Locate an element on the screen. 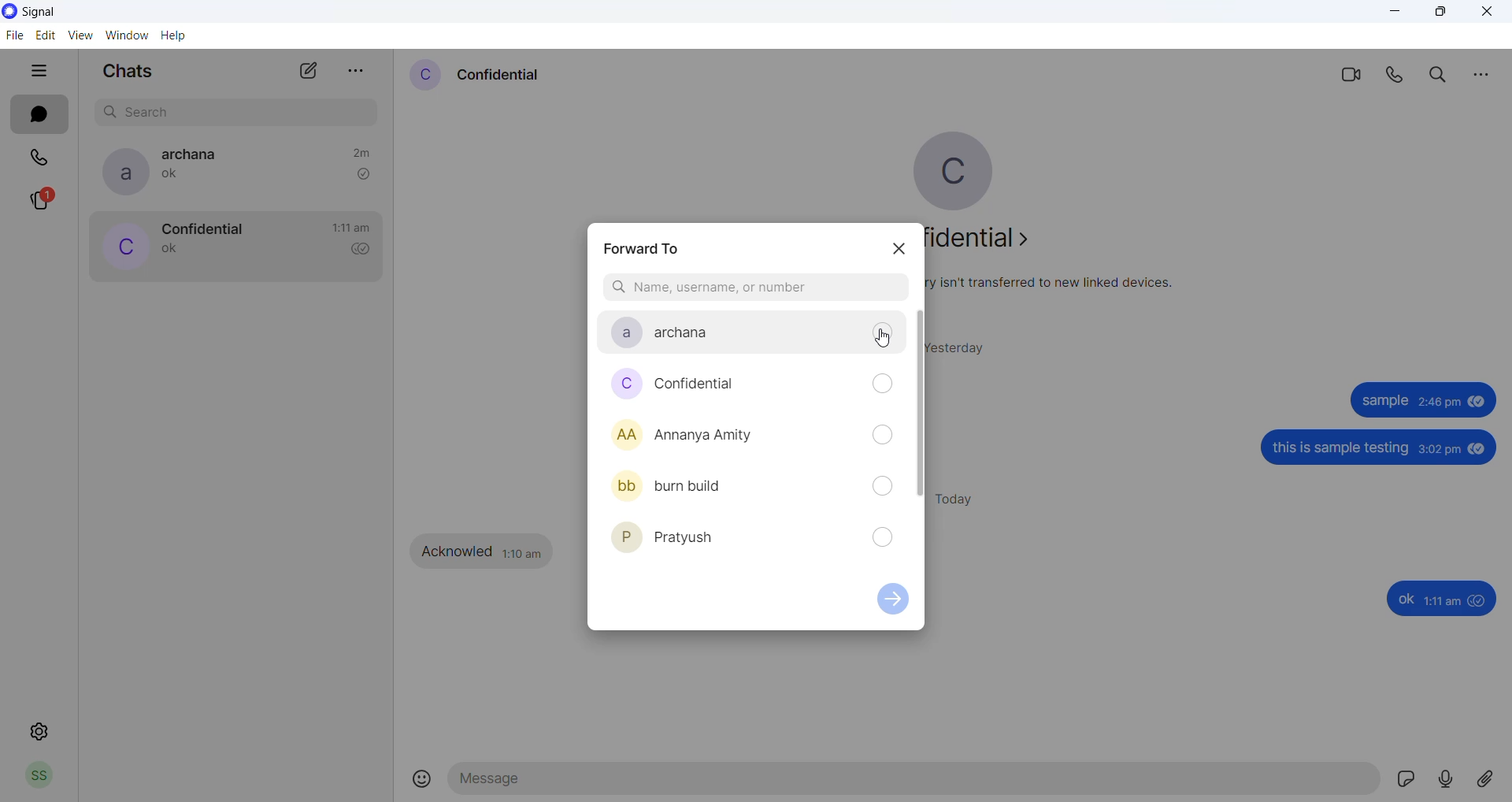 This screenshot has height=802, width=1512. yesterday messages heading is located at coordinates (965, 343).